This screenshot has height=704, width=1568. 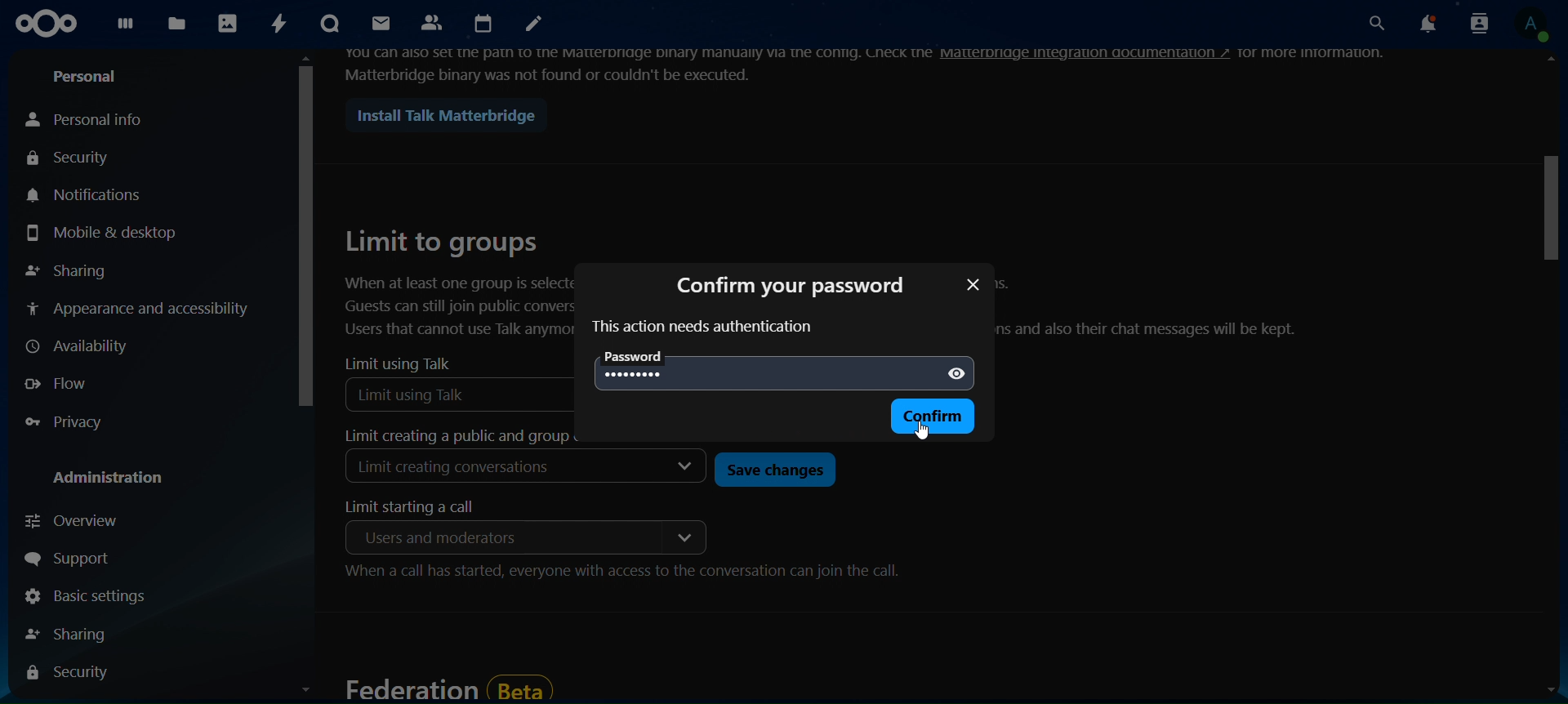 I want to click on personal info, so click(x=89, y=118).